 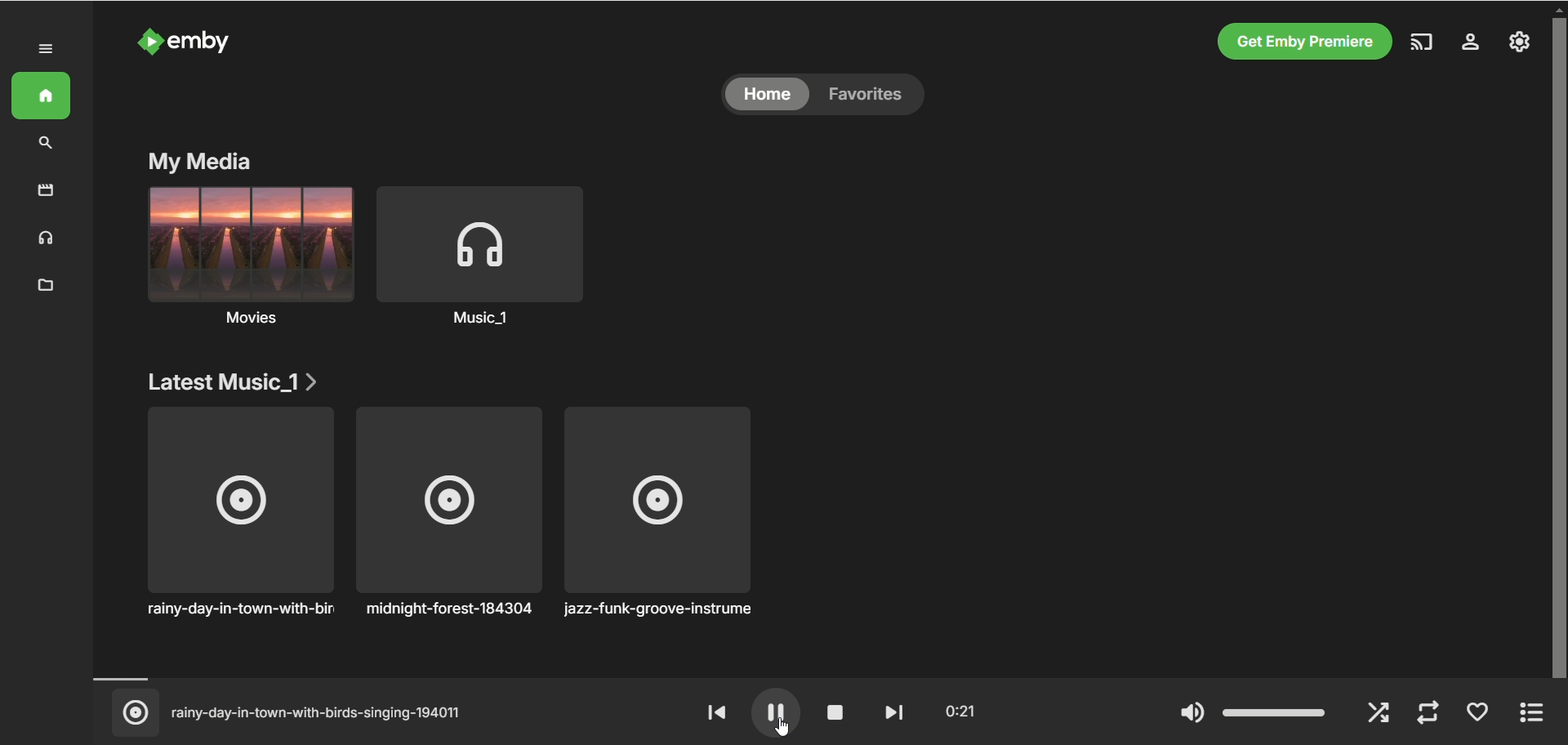 I want to click on search, so click(x=48, y=145).